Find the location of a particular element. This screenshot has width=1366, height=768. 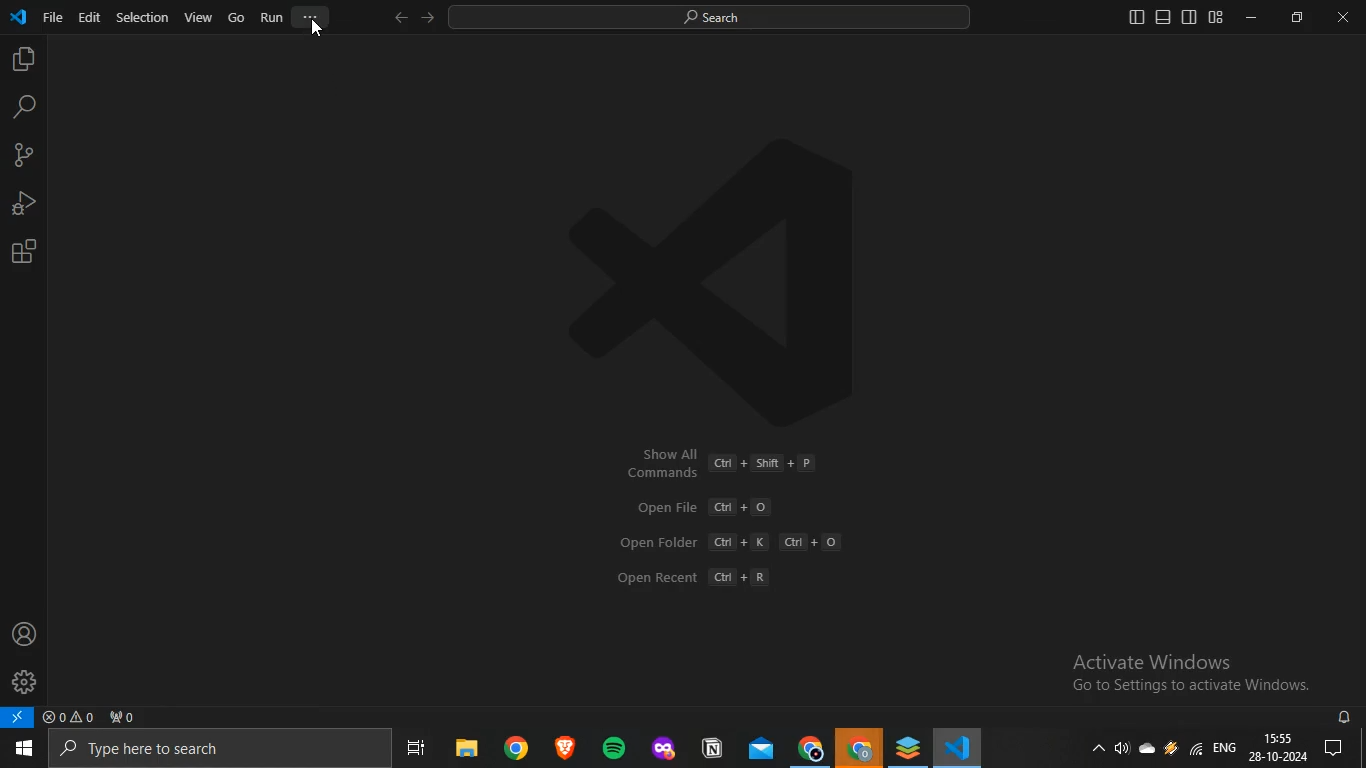

google chrome is located at coordinates (513, 750).